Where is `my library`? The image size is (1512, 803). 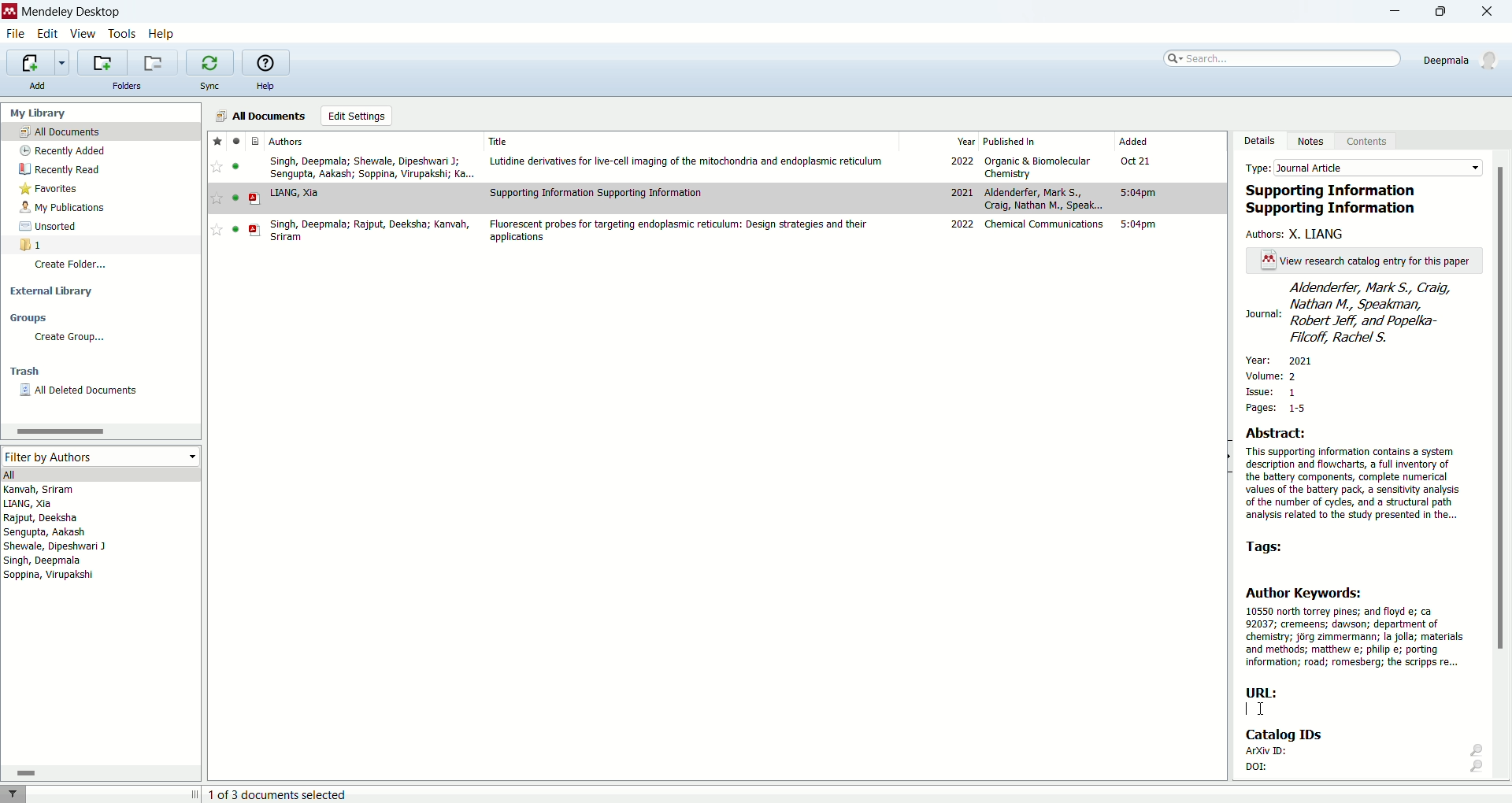 my library is located at coordinates (39, 113).